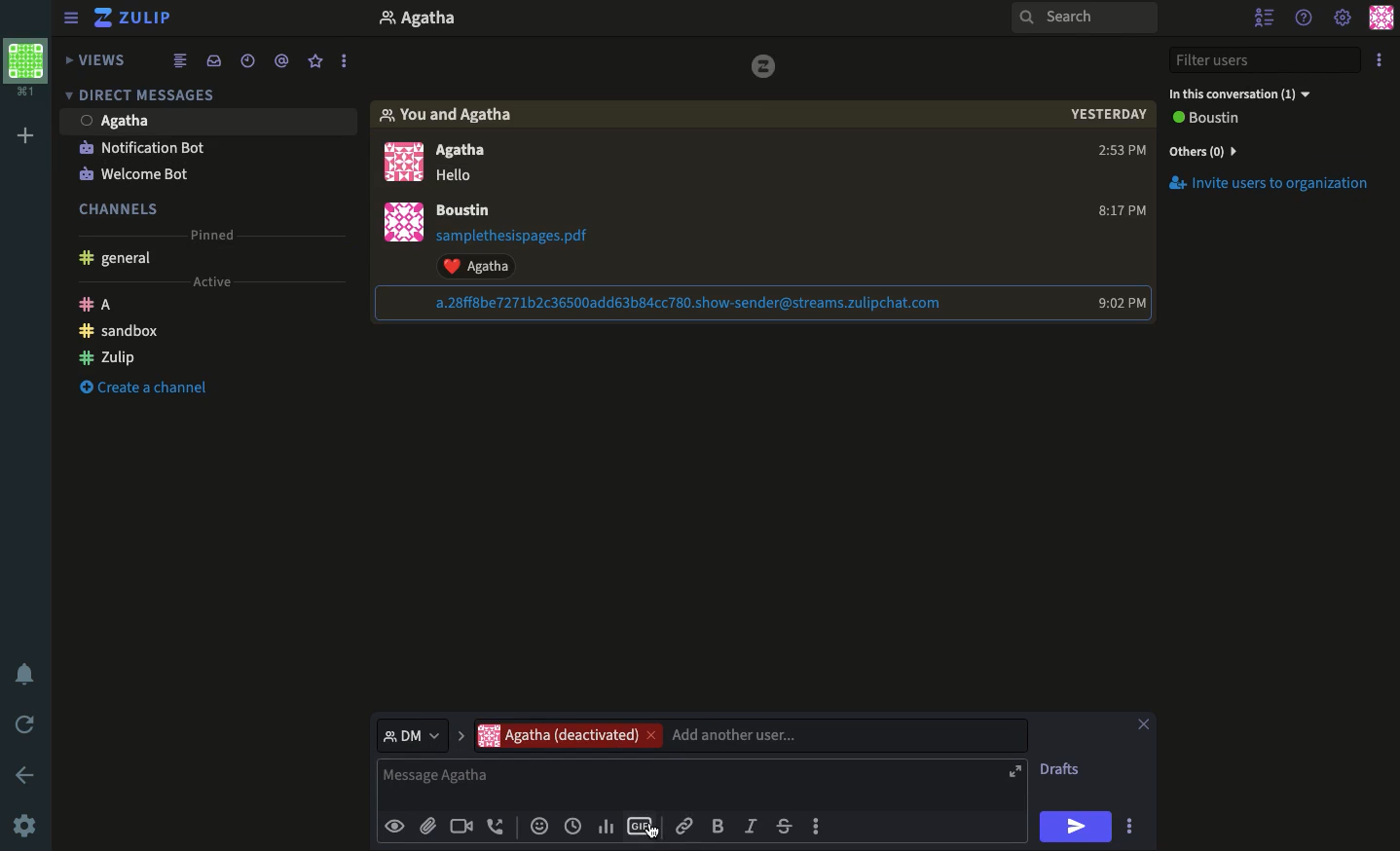  I want to click on A, so click(99, 304).